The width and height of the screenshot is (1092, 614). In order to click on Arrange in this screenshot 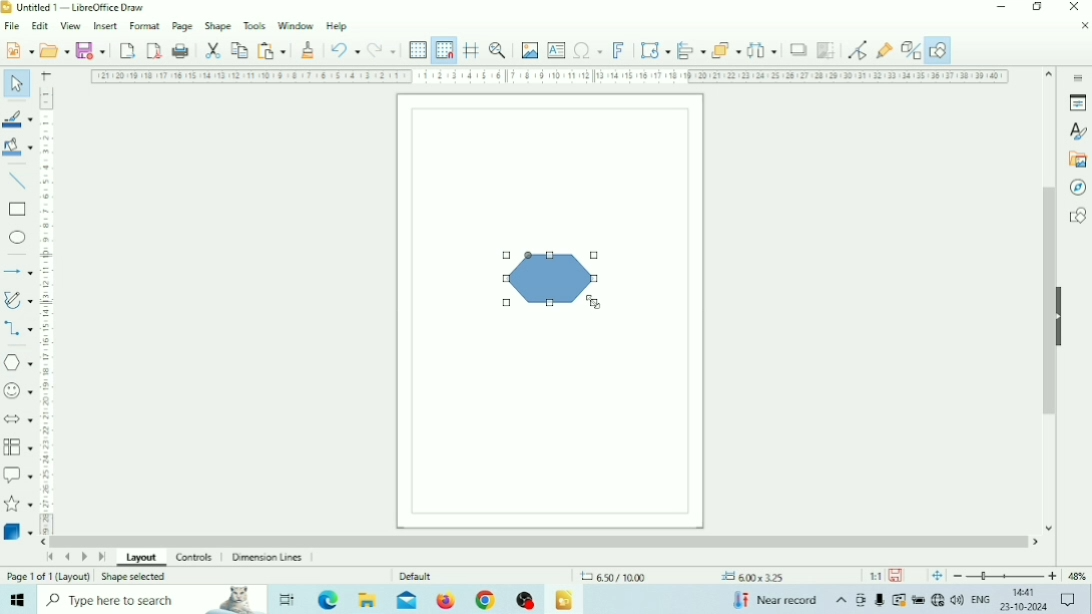, I will do `click(726, 50)`.